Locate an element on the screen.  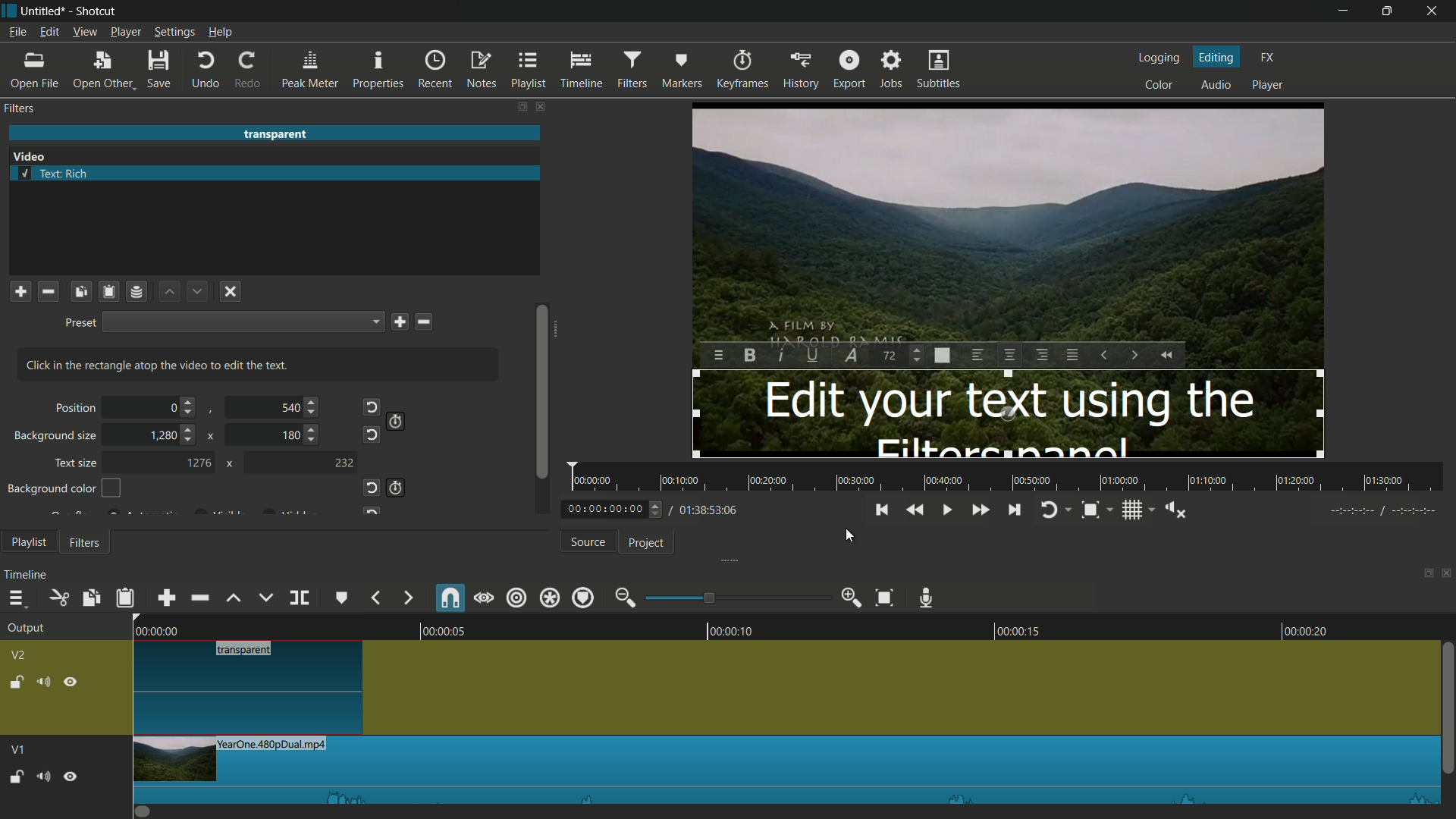
edit menu is located at coordinates (49, 32).